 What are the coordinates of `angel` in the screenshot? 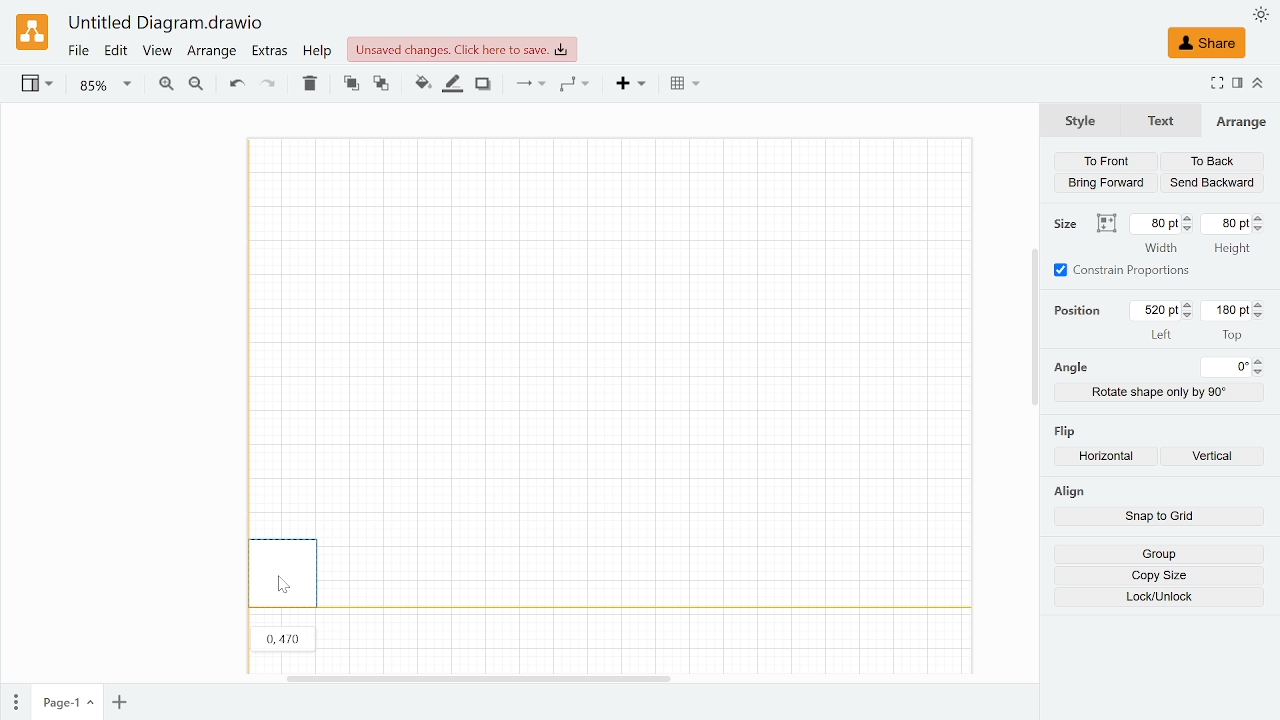 It's located at (1070, 368).